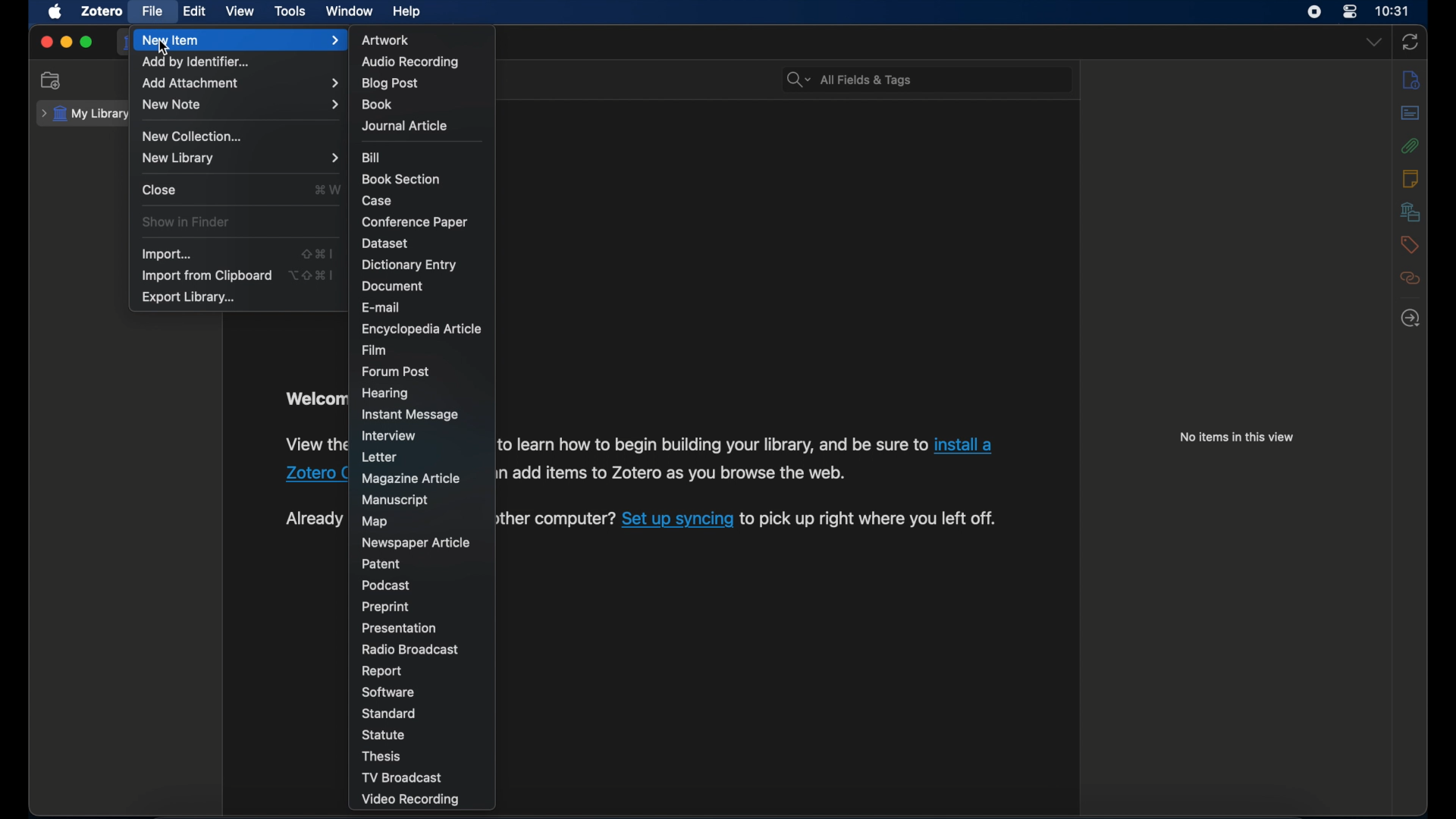  Describe the element at coordinates (160, 190) in the screenshot. I see `close` at that location.